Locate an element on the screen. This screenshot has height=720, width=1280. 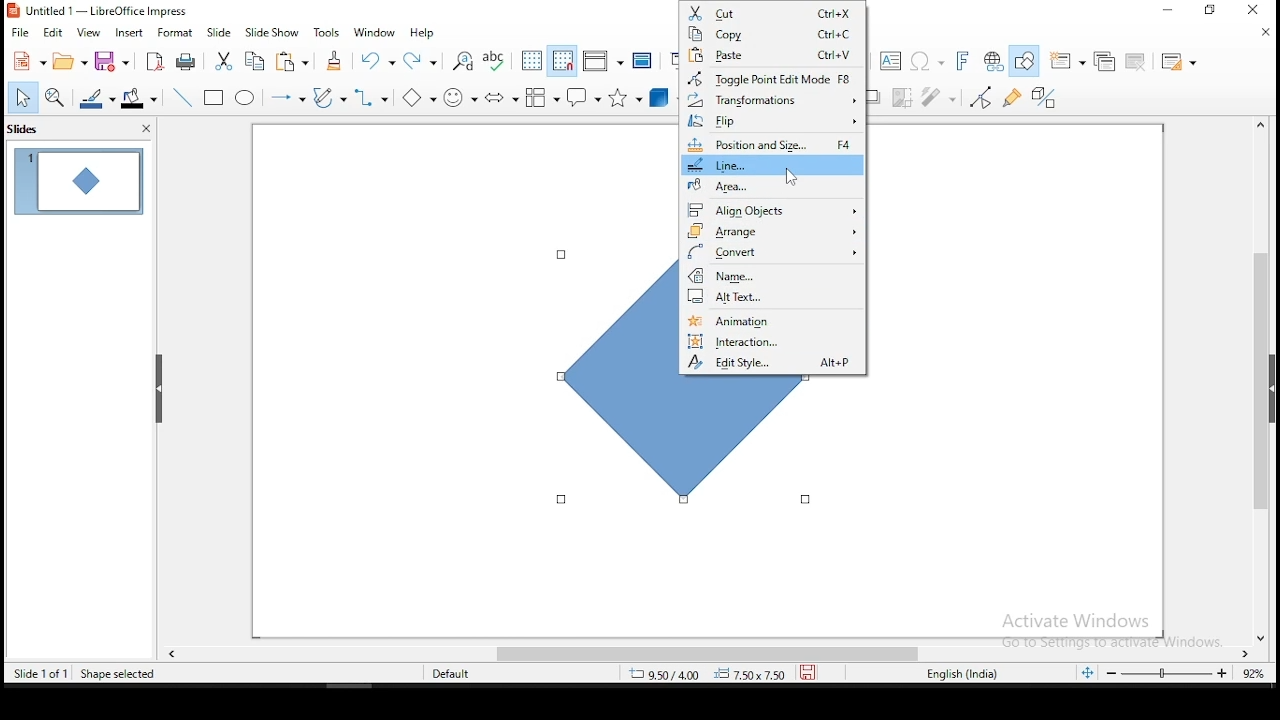
 is located at coordinates (928, 62).